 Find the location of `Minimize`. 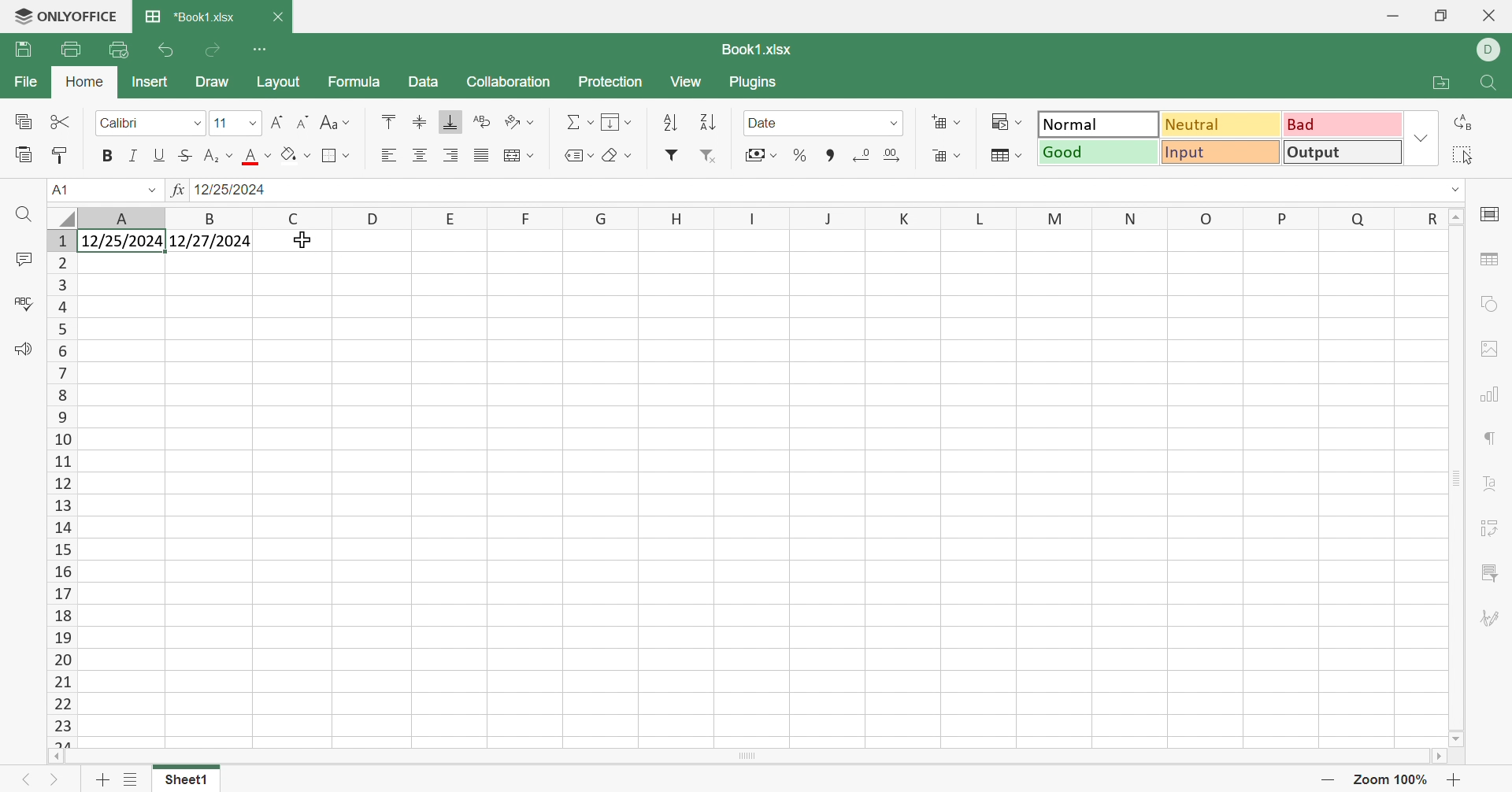

Minimize is located at coordinates (1392, 15).